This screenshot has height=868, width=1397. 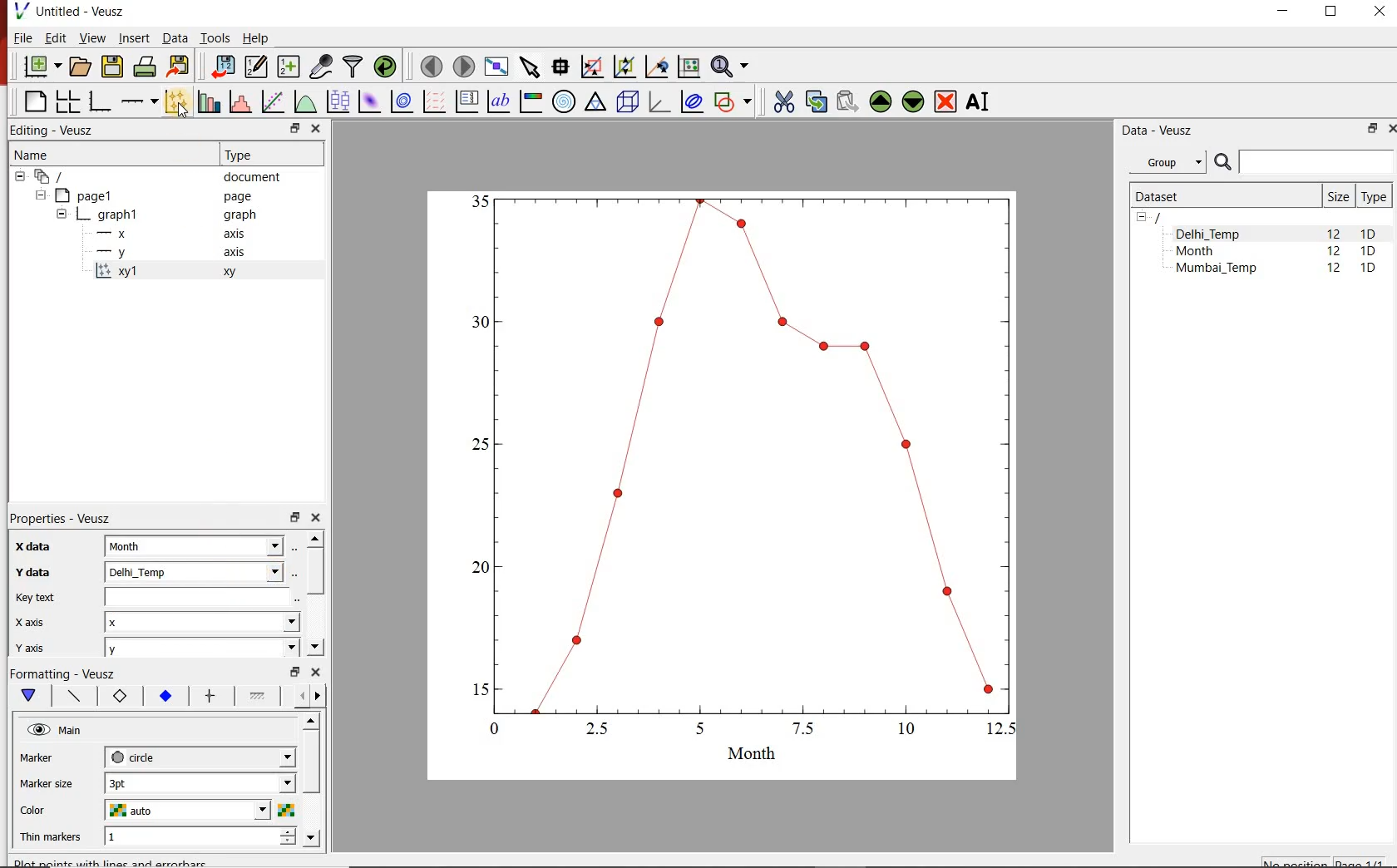 What do you see at coordinates (180, 67) in the screenshot?
I see `export to graphics format` at bounding box center [180, 67].